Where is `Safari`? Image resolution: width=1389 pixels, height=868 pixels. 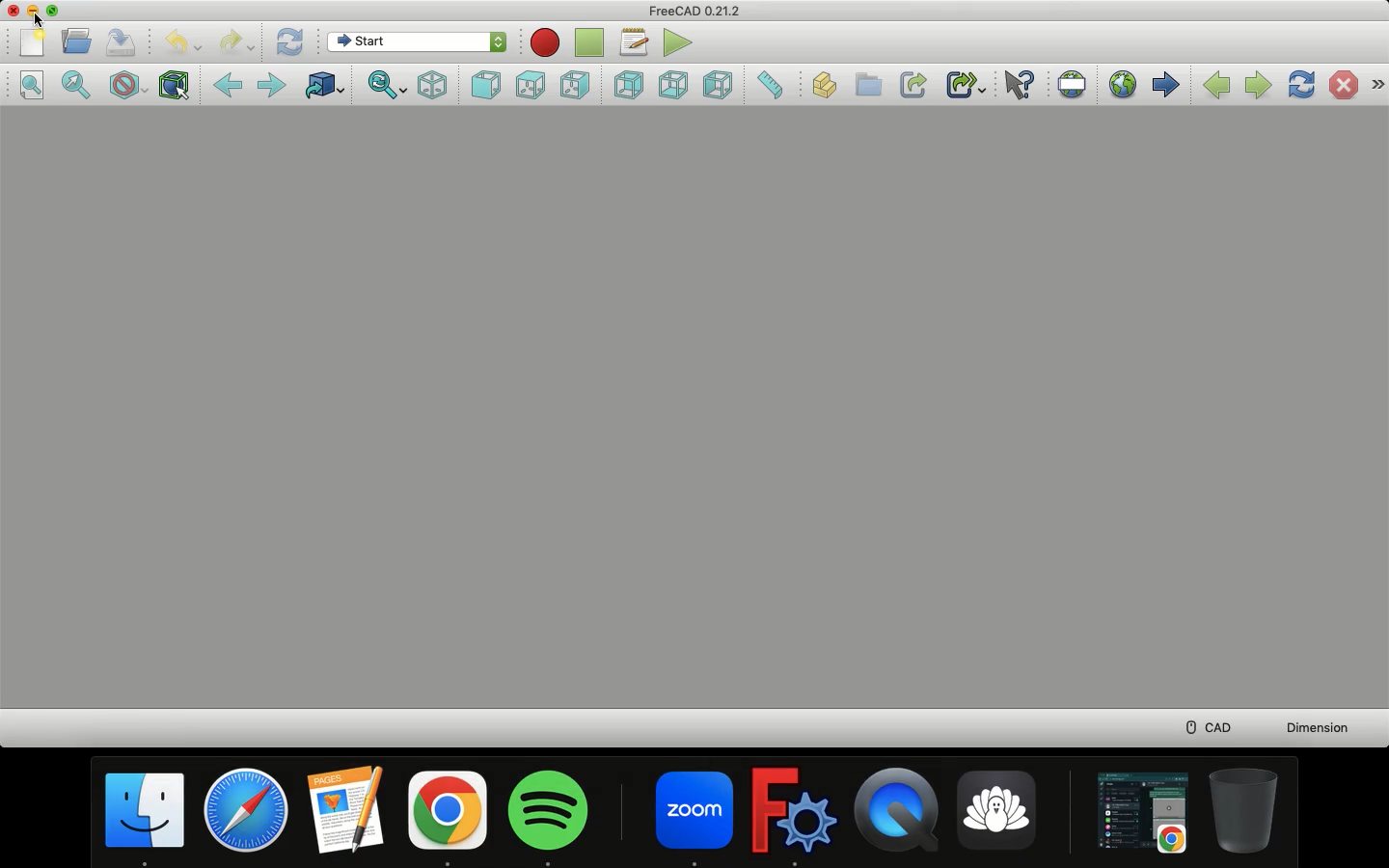
Safari is located at coordinates (249, 813).